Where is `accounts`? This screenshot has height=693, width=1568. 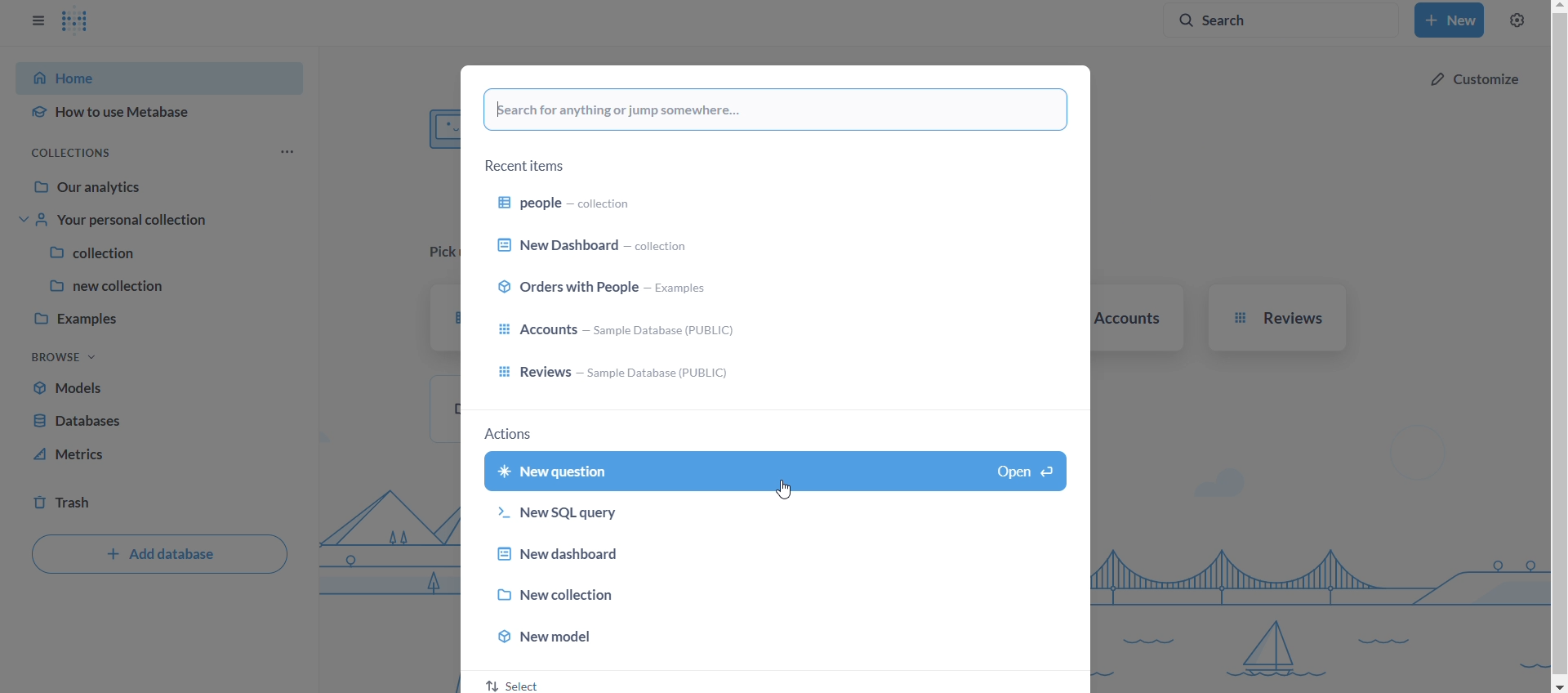
accounts is located at coordinates (627, 331).